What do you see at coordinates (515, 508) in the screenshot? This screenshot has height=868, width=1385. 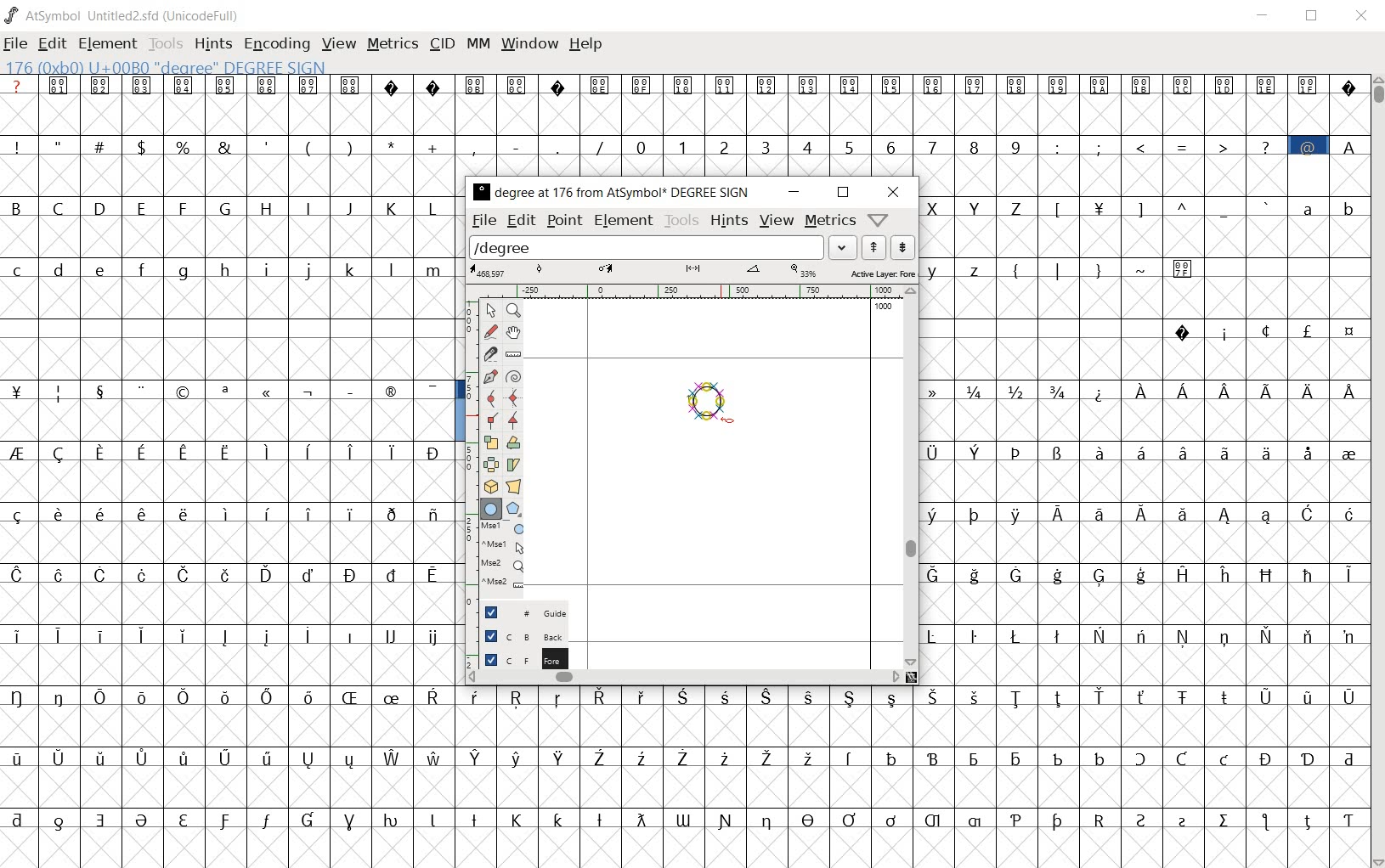 I see `polygon or star` at bounding box center [515, 508].